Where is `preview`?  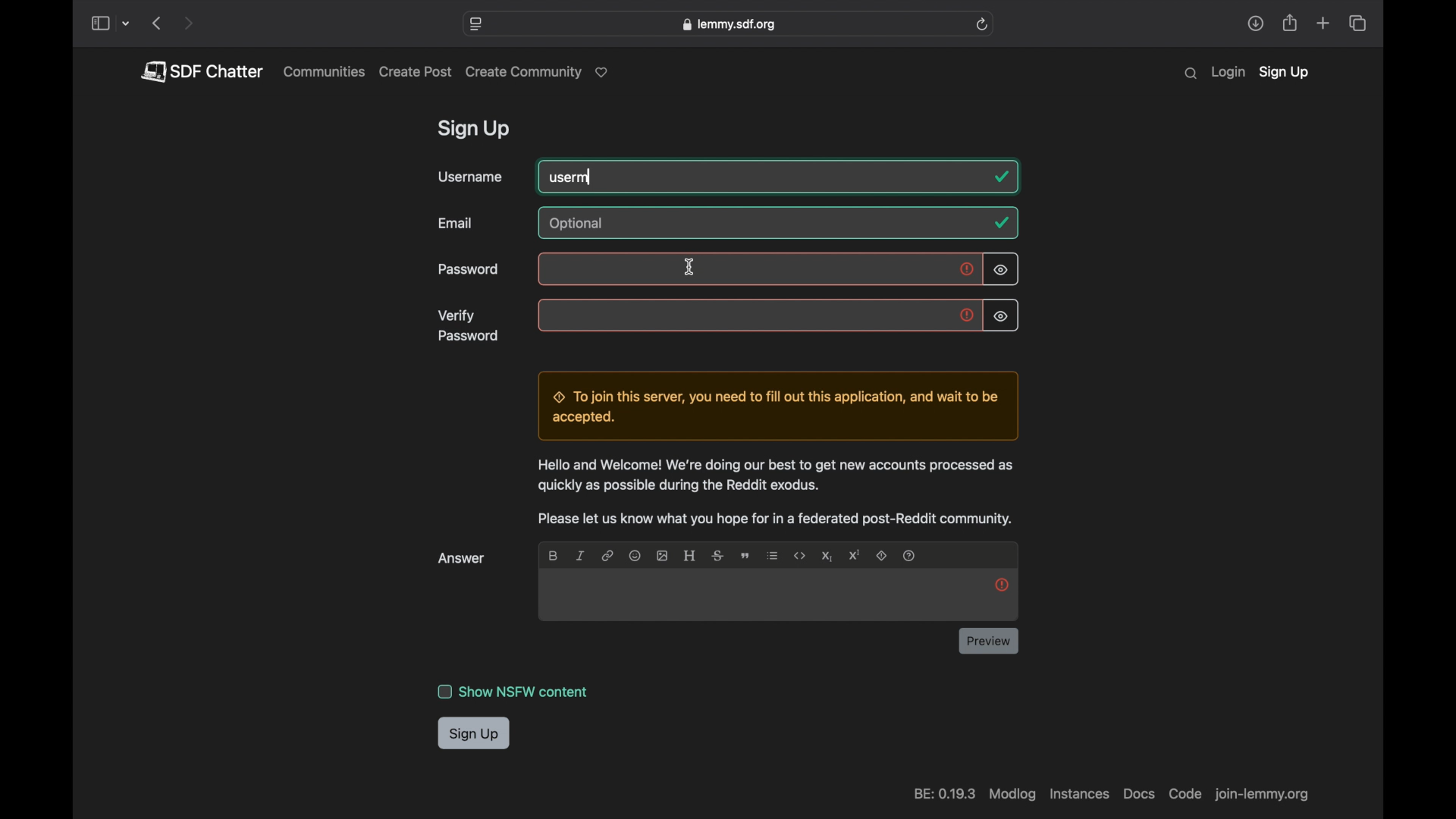
preview is located at coordinates (989, 641).